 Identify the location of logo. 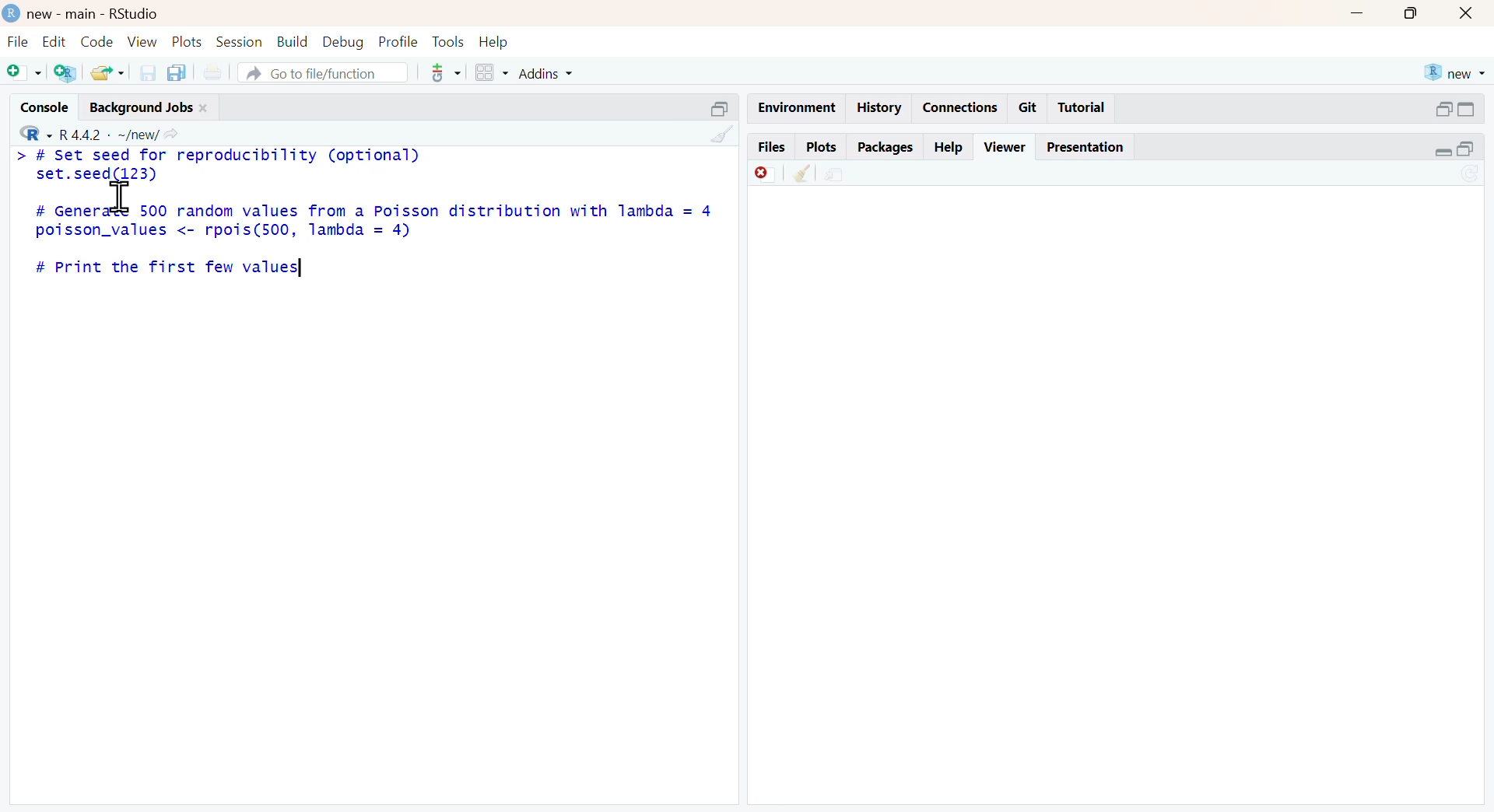
(11, 12).